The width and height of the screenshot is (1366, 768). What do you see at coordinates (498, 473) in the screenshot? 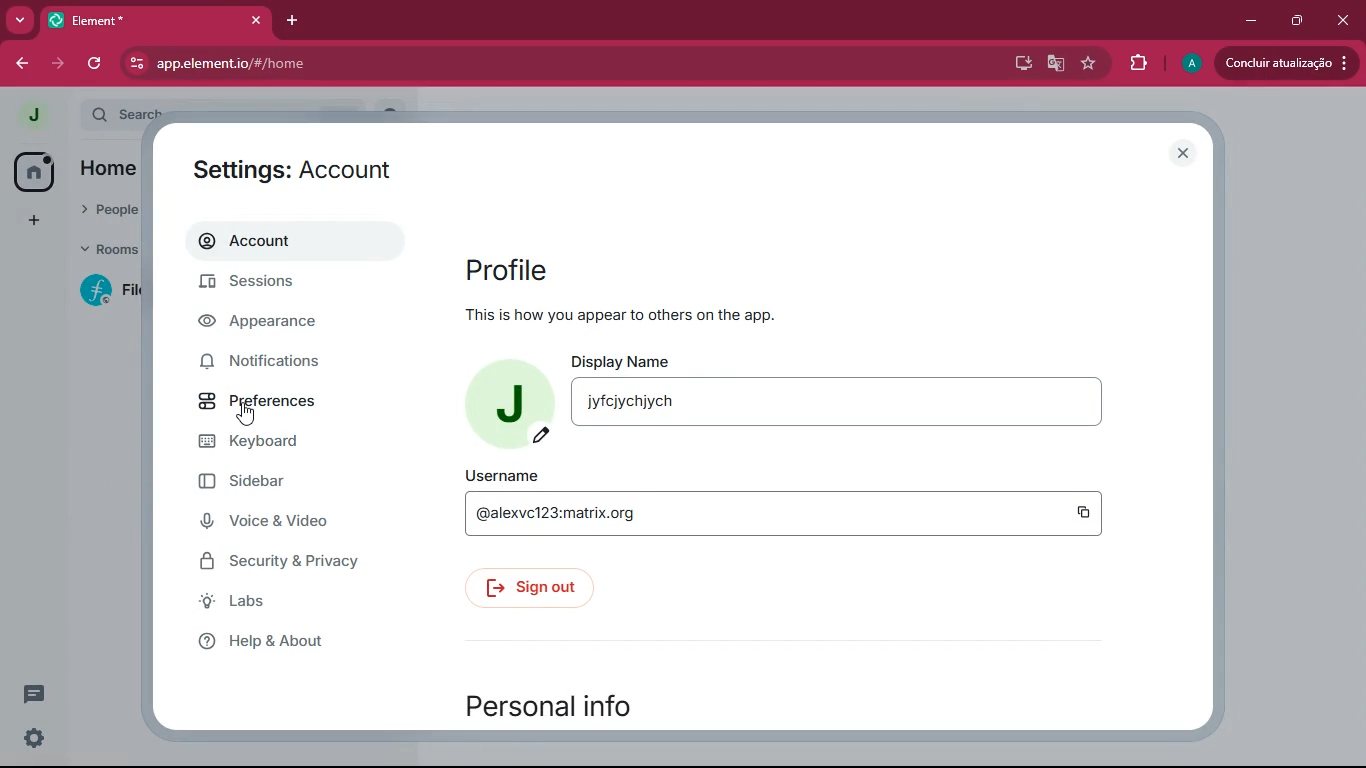
I see `username` at bounding box center [498, 473].